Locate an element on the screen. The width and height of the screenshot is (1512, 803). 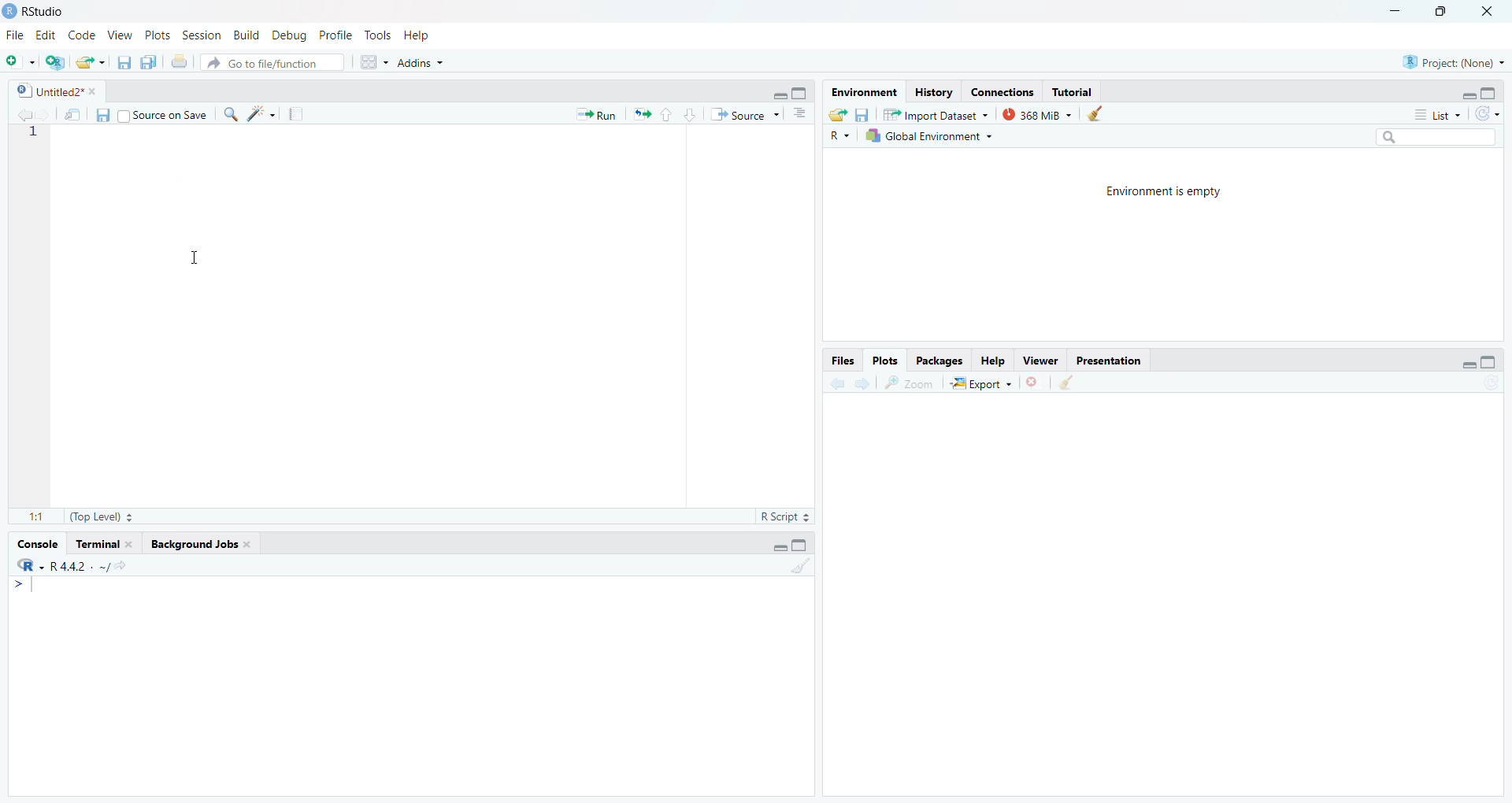
export is located at coordinates (90, 63).